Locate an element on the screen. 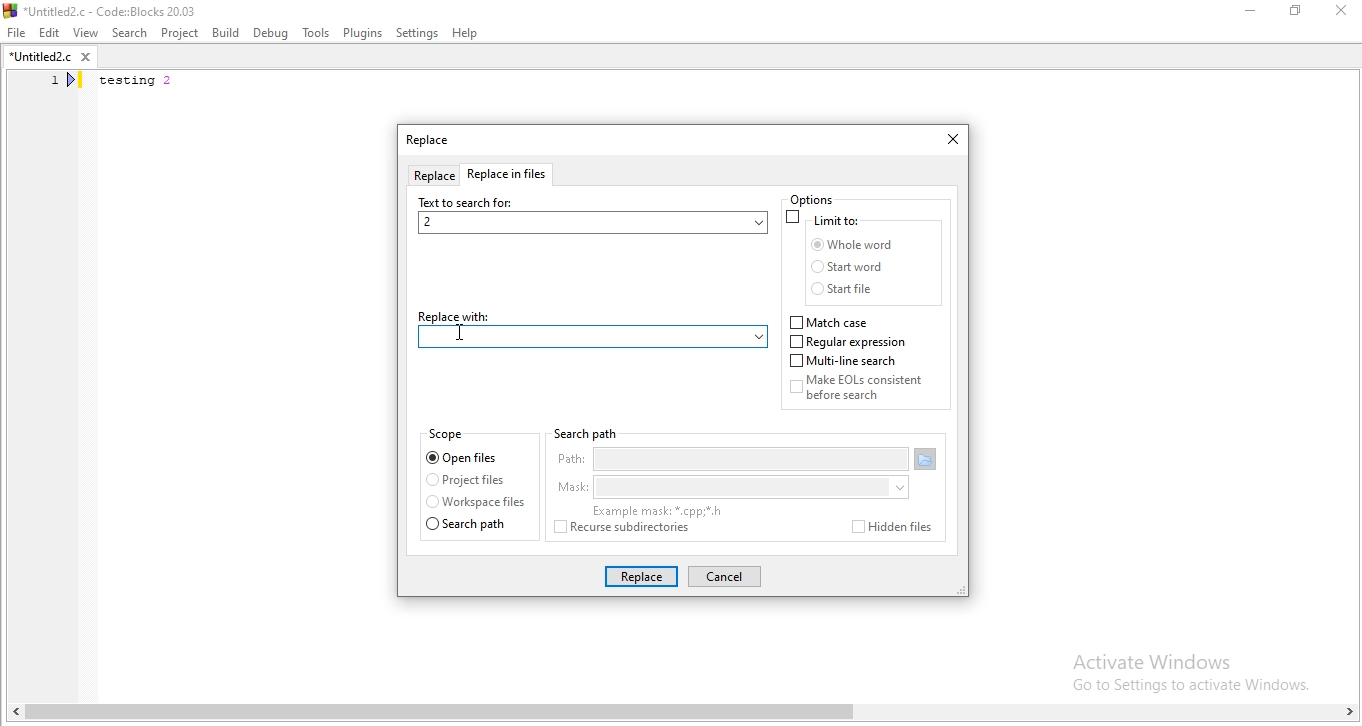  testing 2 is located at coordinates (140, 83).